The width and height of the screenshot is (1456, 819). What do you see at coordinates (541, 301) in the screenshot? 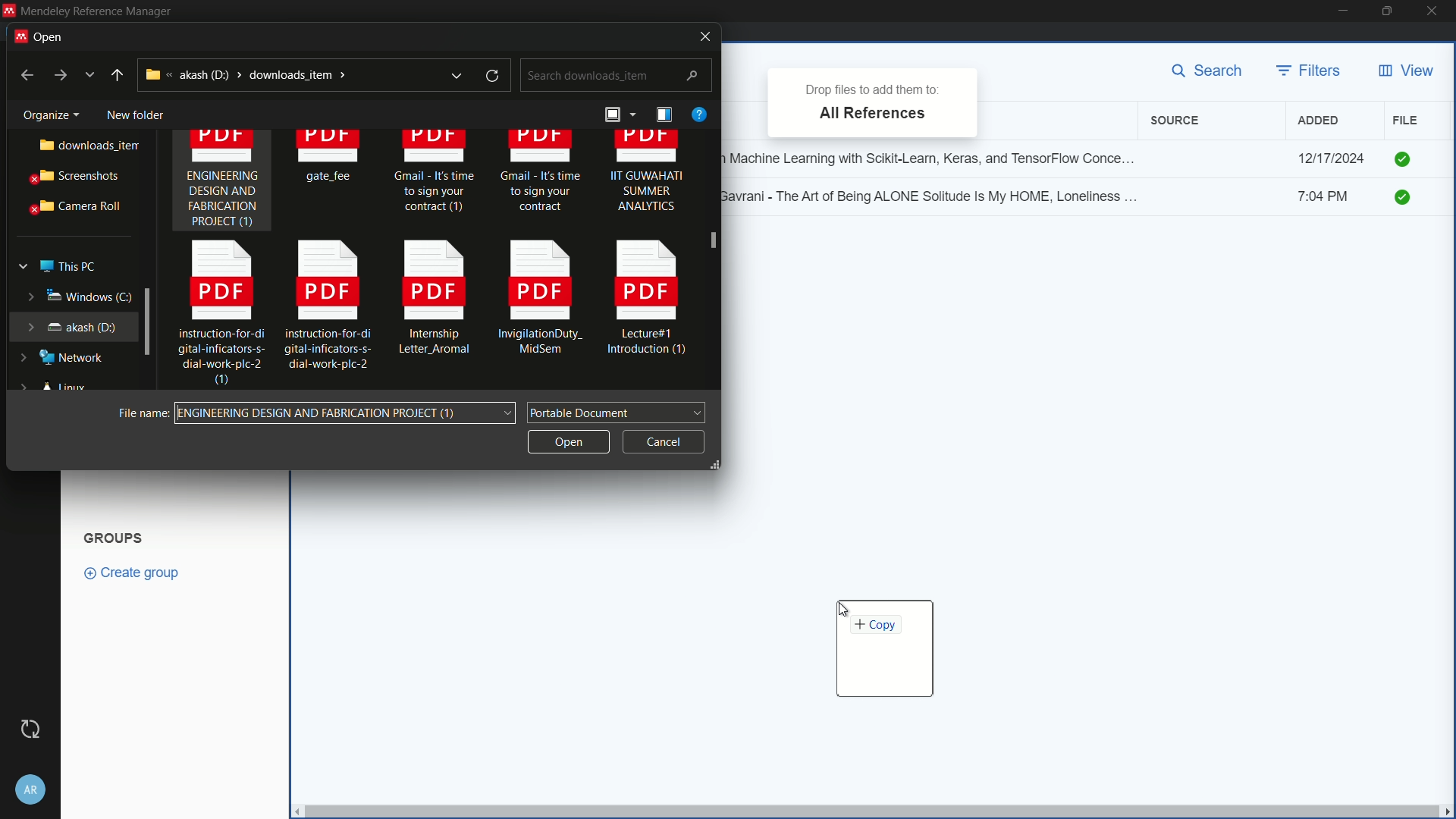
I see `InvigilationDuty_
[EE` at bounding box center [541, 301].